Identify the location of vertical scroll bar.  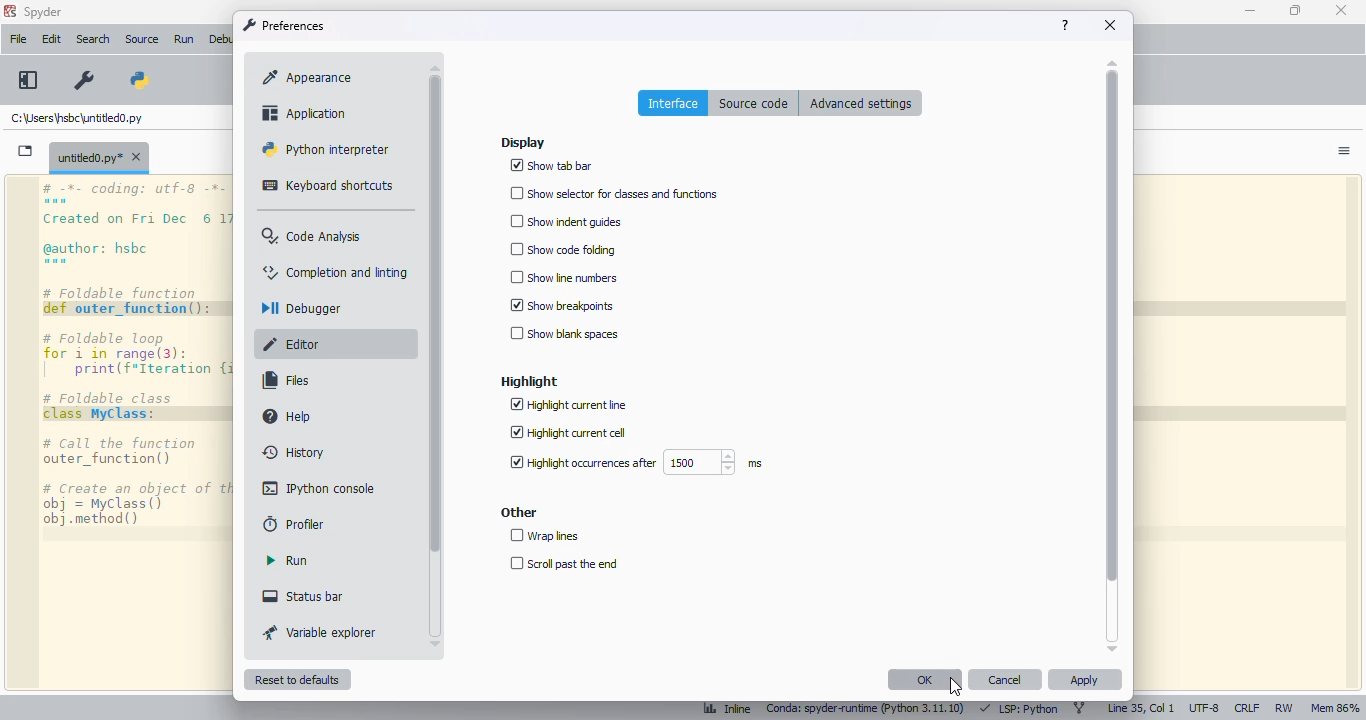
(434, 314).